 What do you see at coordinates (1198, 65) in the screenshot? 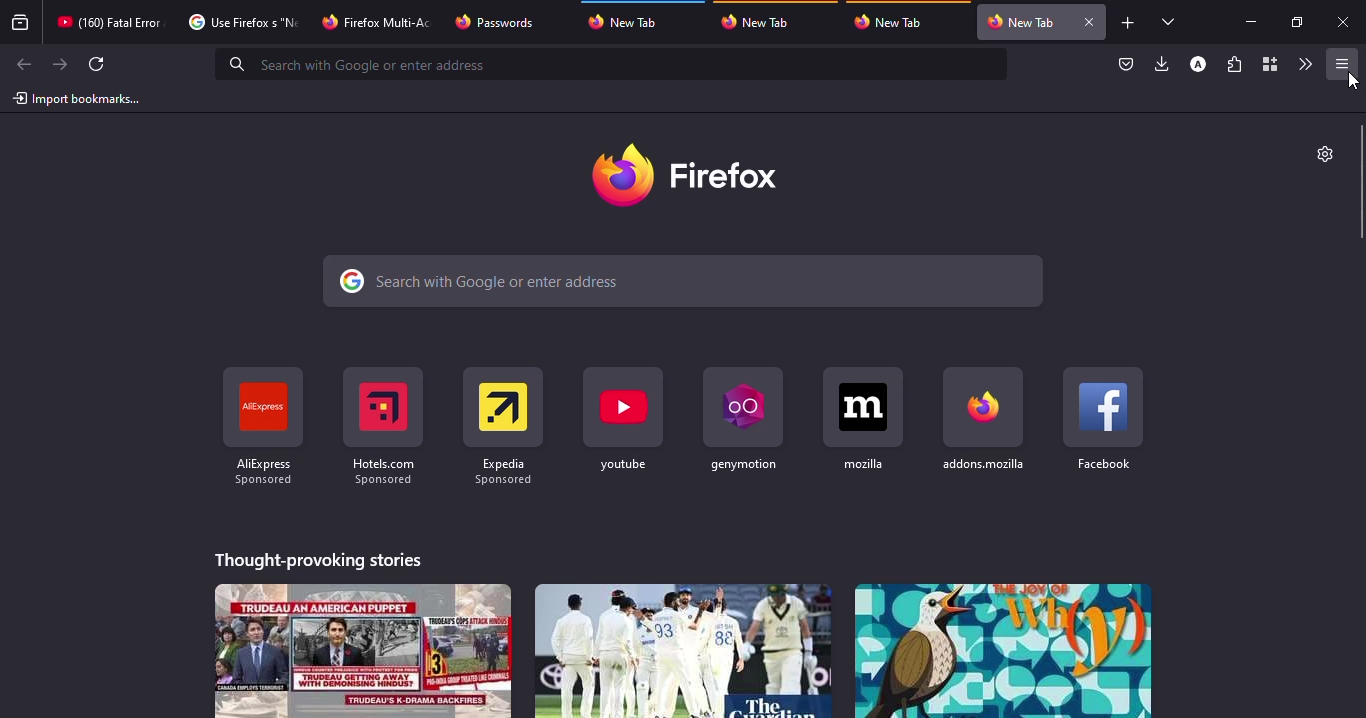
I see `account` at bounding box center [1198, 65].